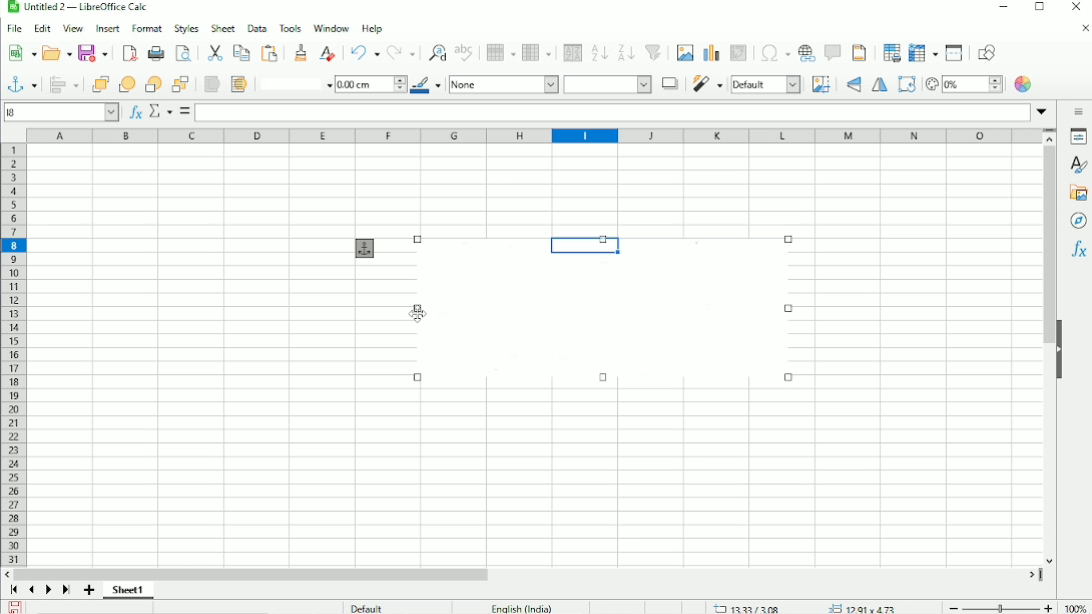 The image size is (1092, 614). What do you see at coordinates (684, 53) in the screenshot?
I see `Insert image` at bounding box center [684, 53].